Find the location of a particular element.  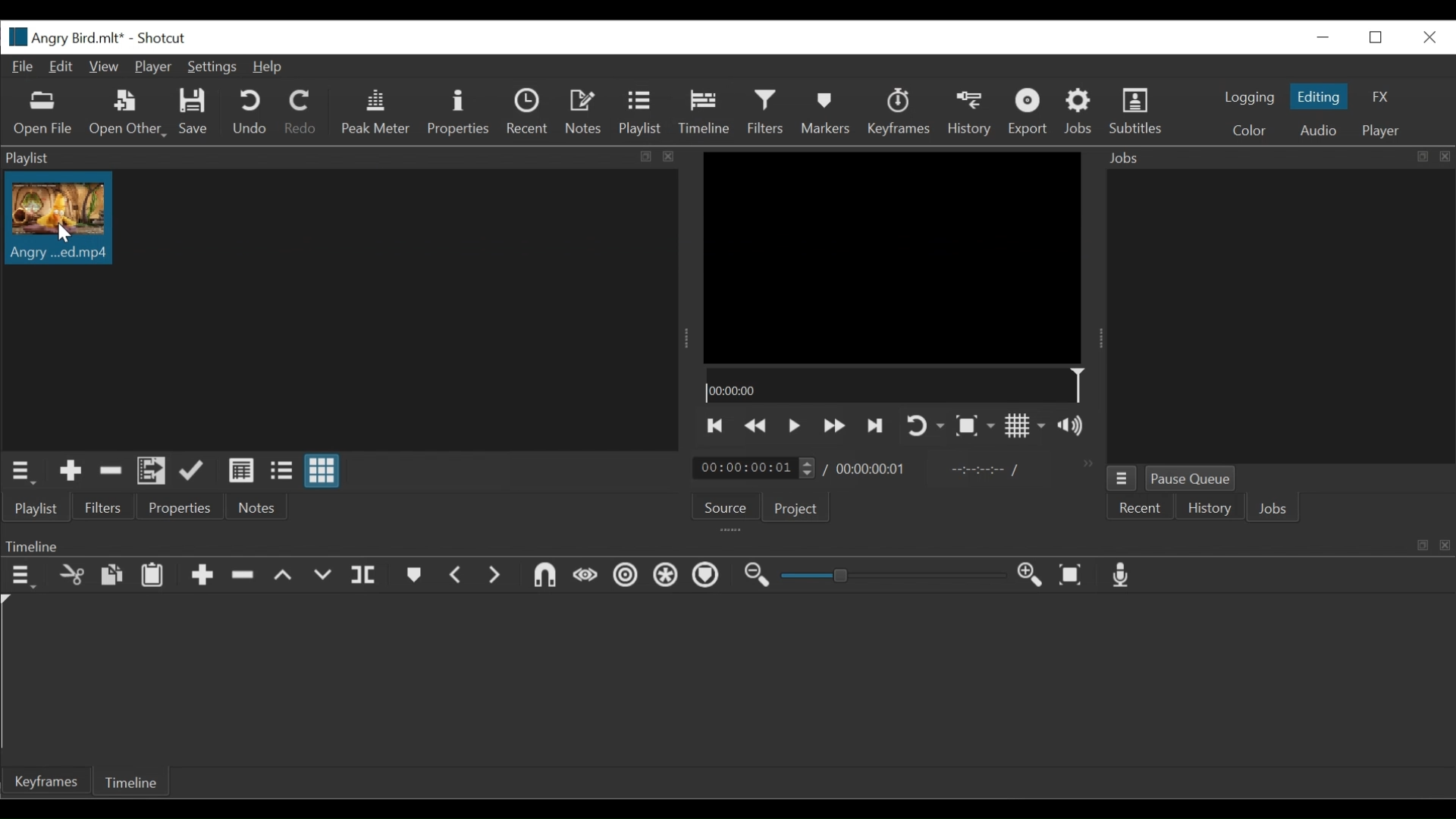

Add files to the playlist is located at coordinates (151, 472).